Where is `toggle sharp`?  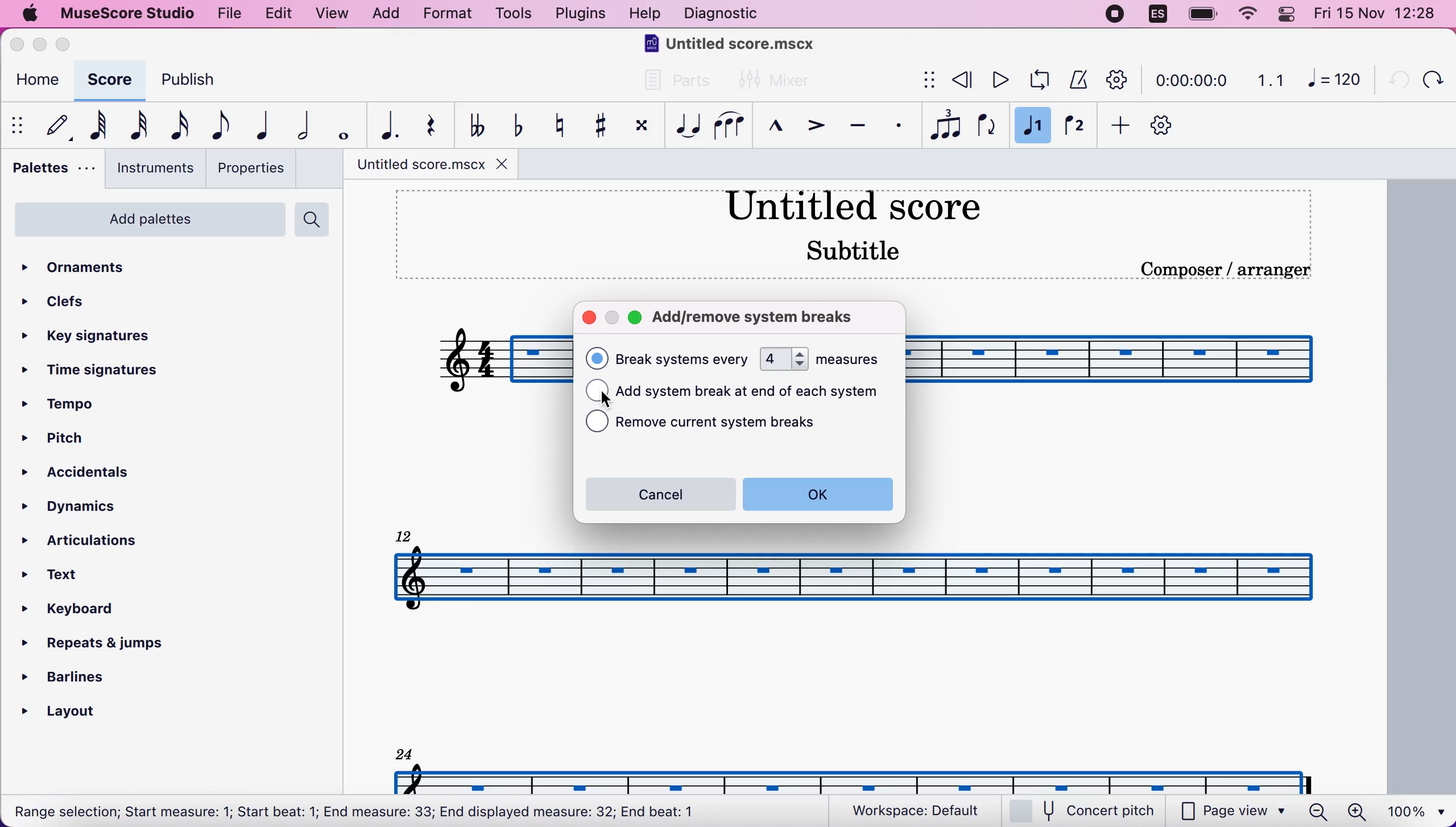 toggle sharp is located at coordinates (599, 126).